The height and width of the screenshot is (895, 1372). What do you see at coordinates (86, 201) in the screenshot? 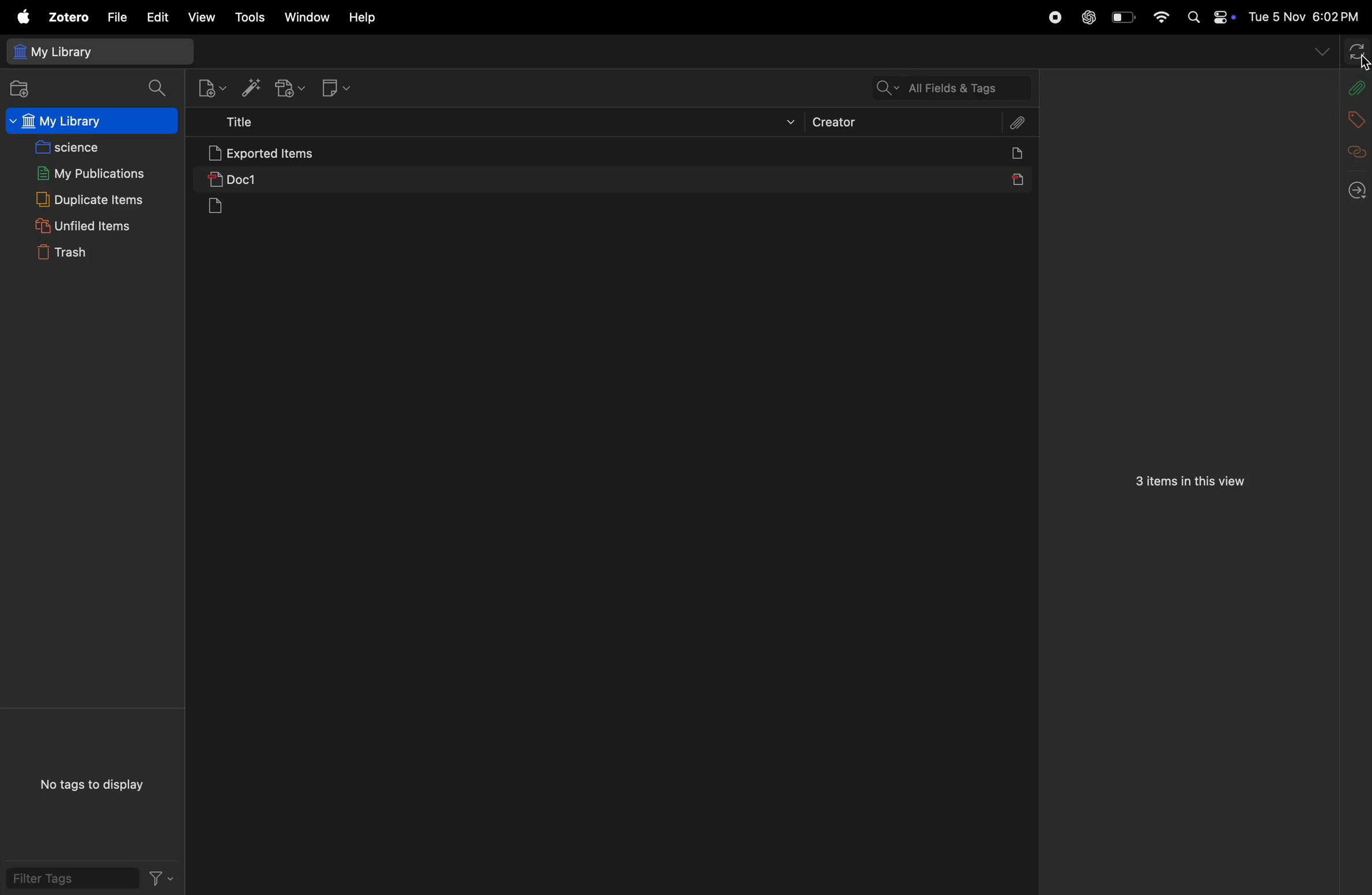
I see `duplicate items` at bounding box center [86, 201].